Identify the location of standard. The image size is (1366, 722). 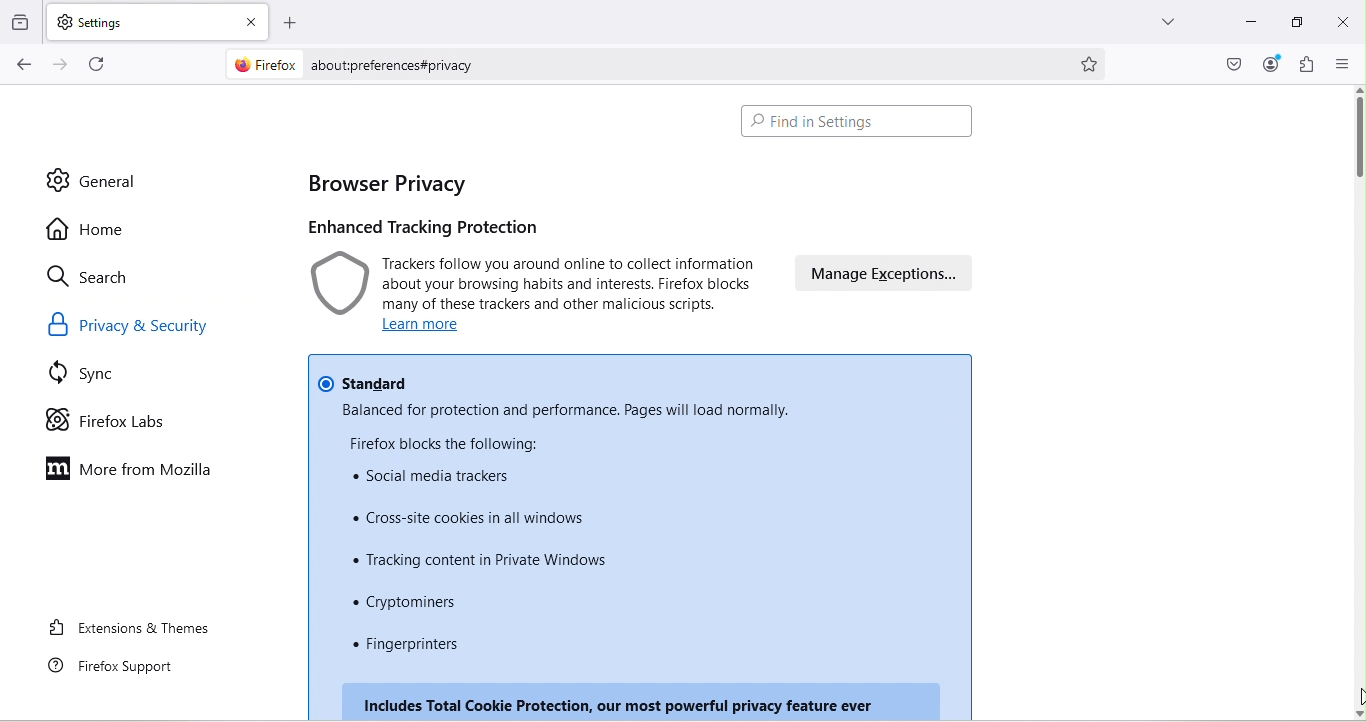
(369, 378).